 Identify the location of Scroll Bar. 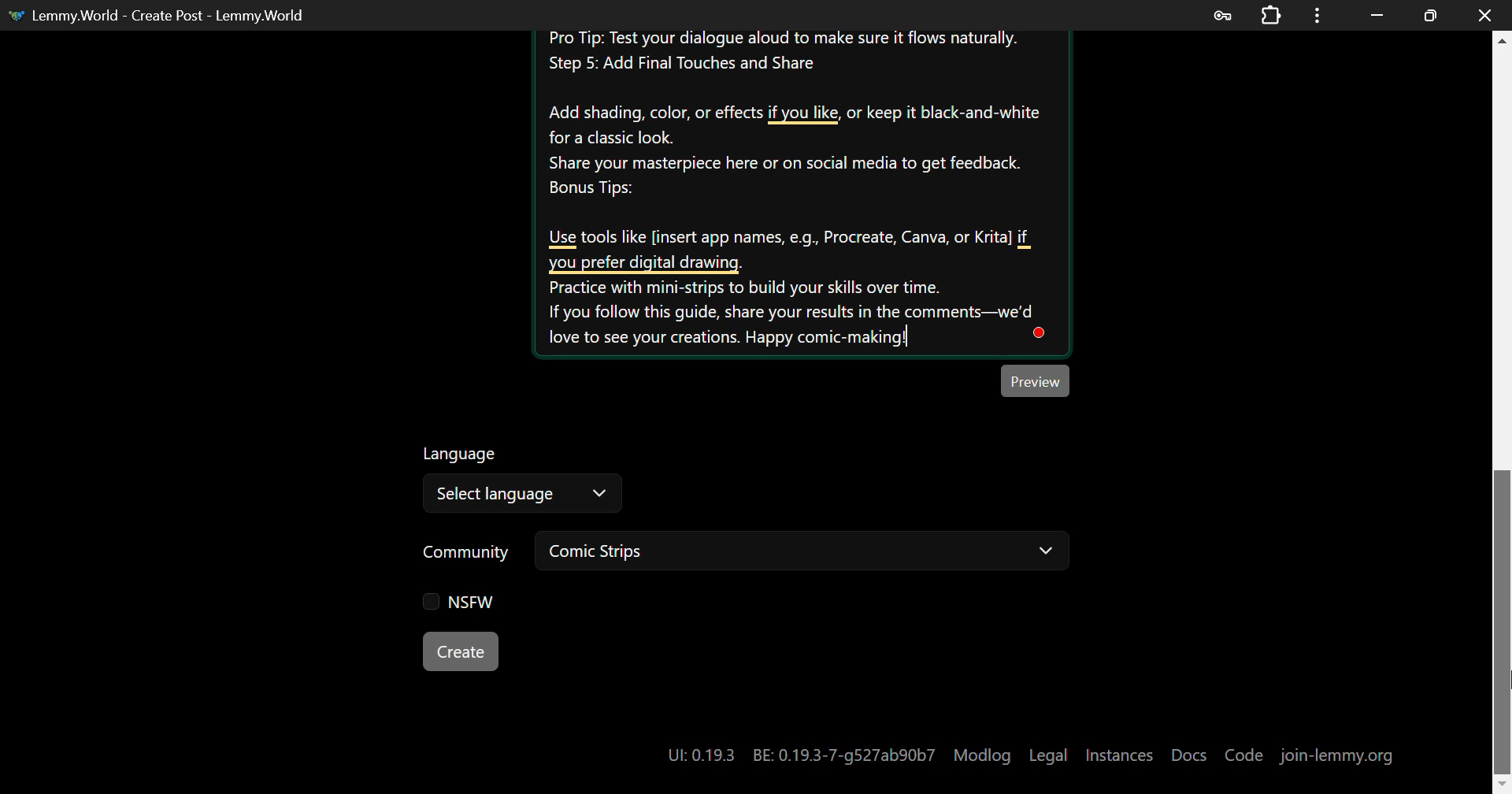
(1503, 409).